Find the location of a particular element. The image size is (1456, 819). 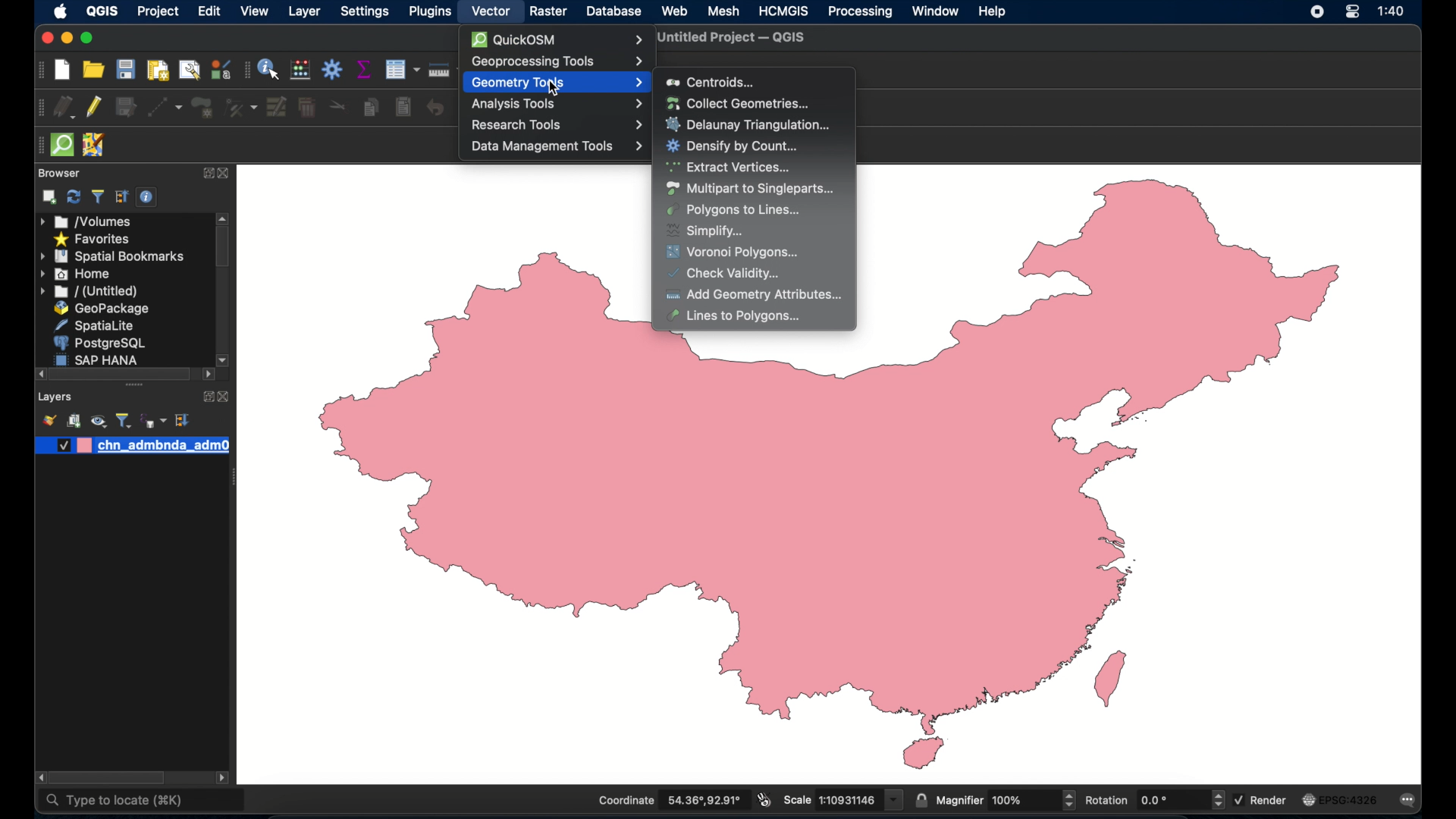

volumes is located at coordinates (86, 221).